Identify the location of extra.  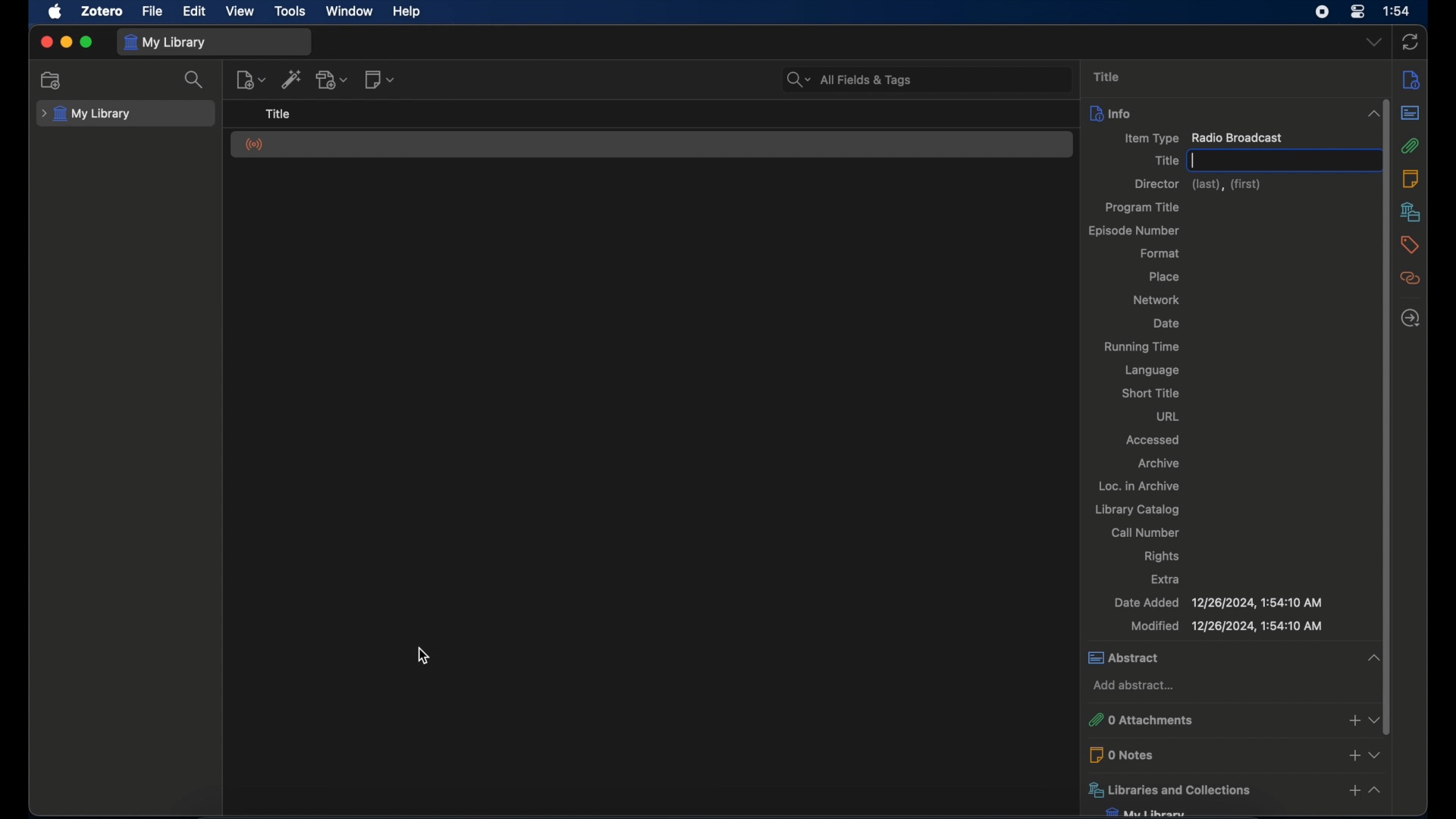
(1168, 579).